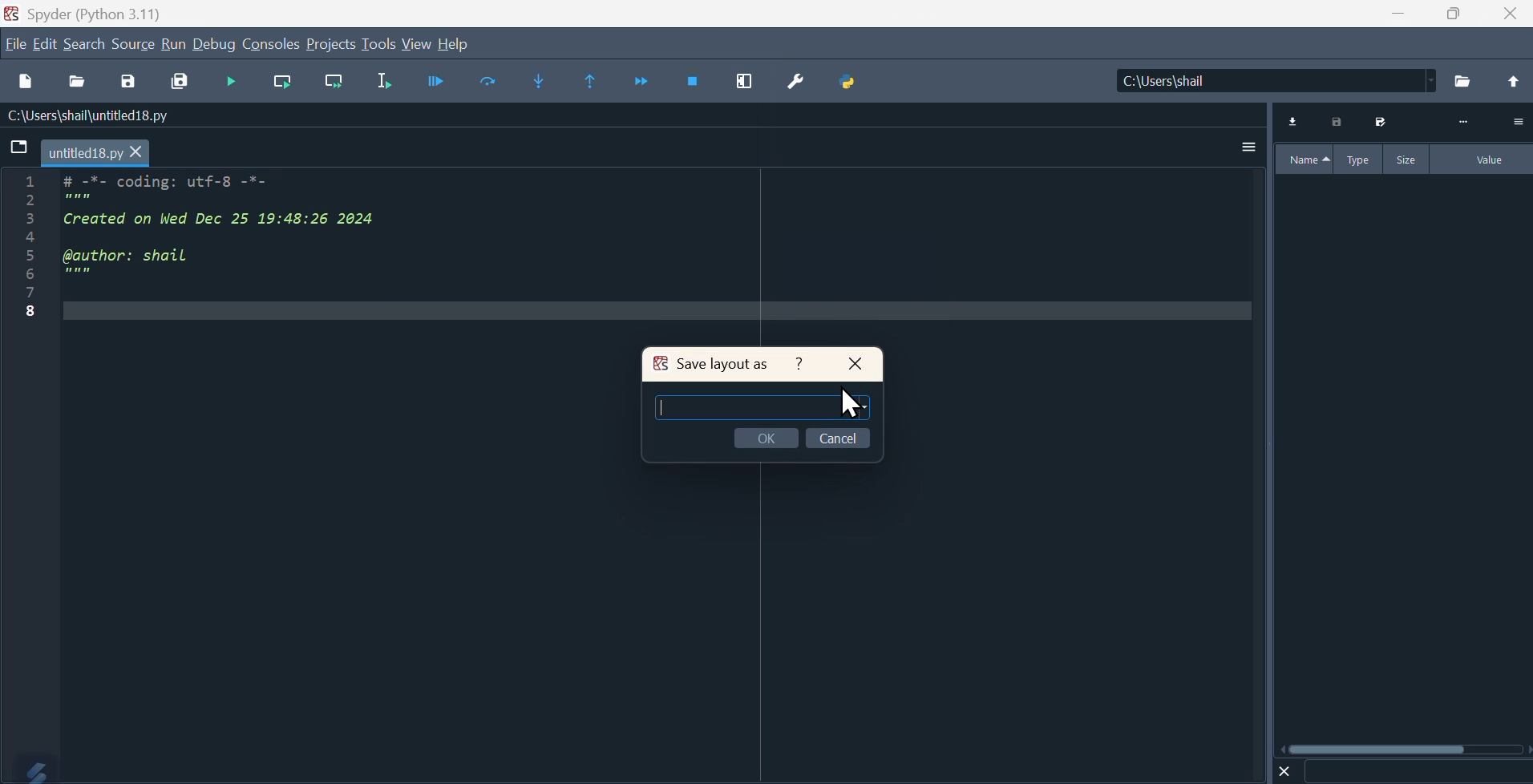 Image resolution: width=1533 pixels, height=784 pixels. I want to click on Save all, so click(180, 83).